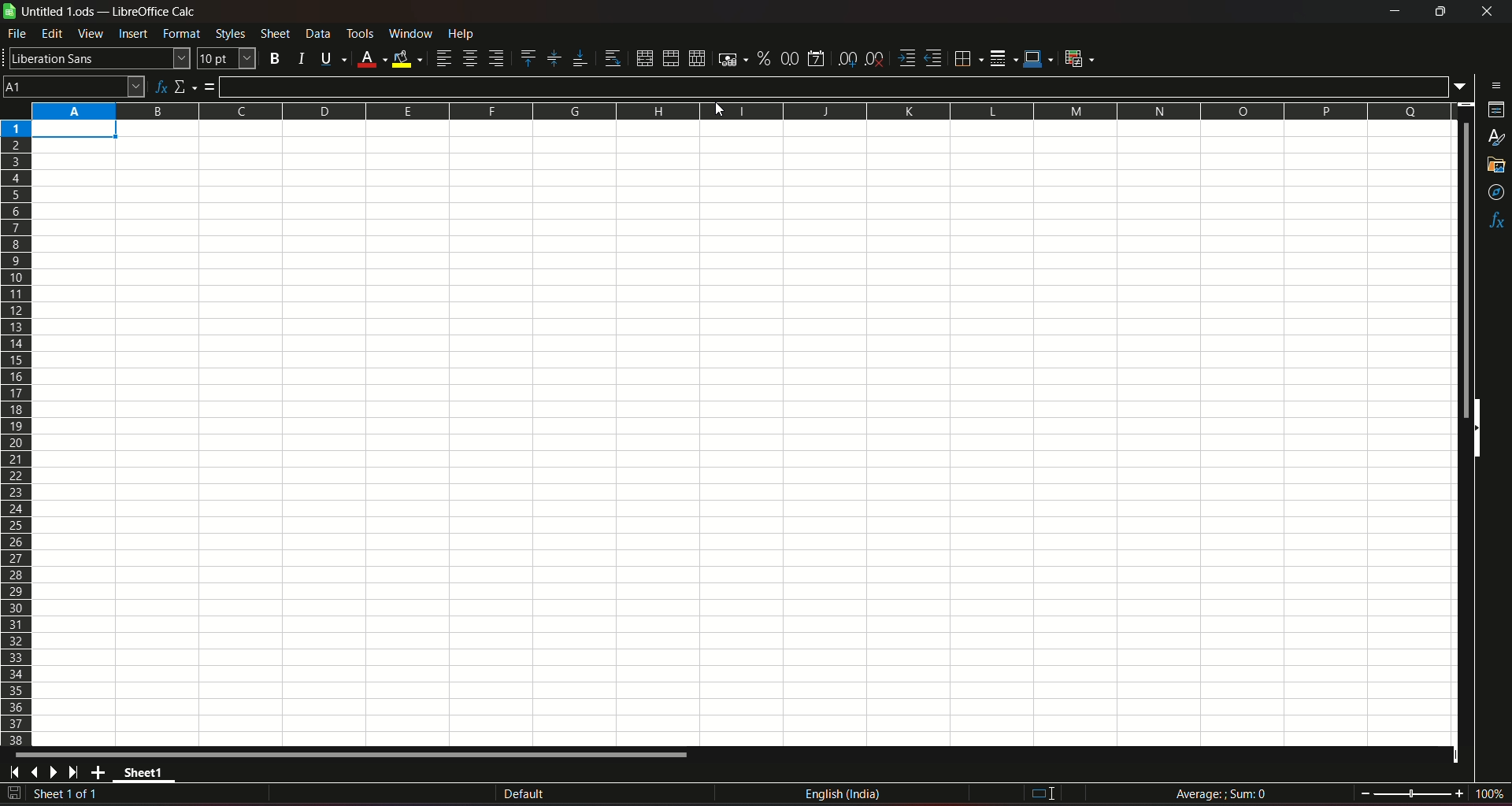 The height and width of the screenshot is (806, 1512). Describe the element at coordinates (1365, 792) in the screenshot. I see `zoom out` at that location.